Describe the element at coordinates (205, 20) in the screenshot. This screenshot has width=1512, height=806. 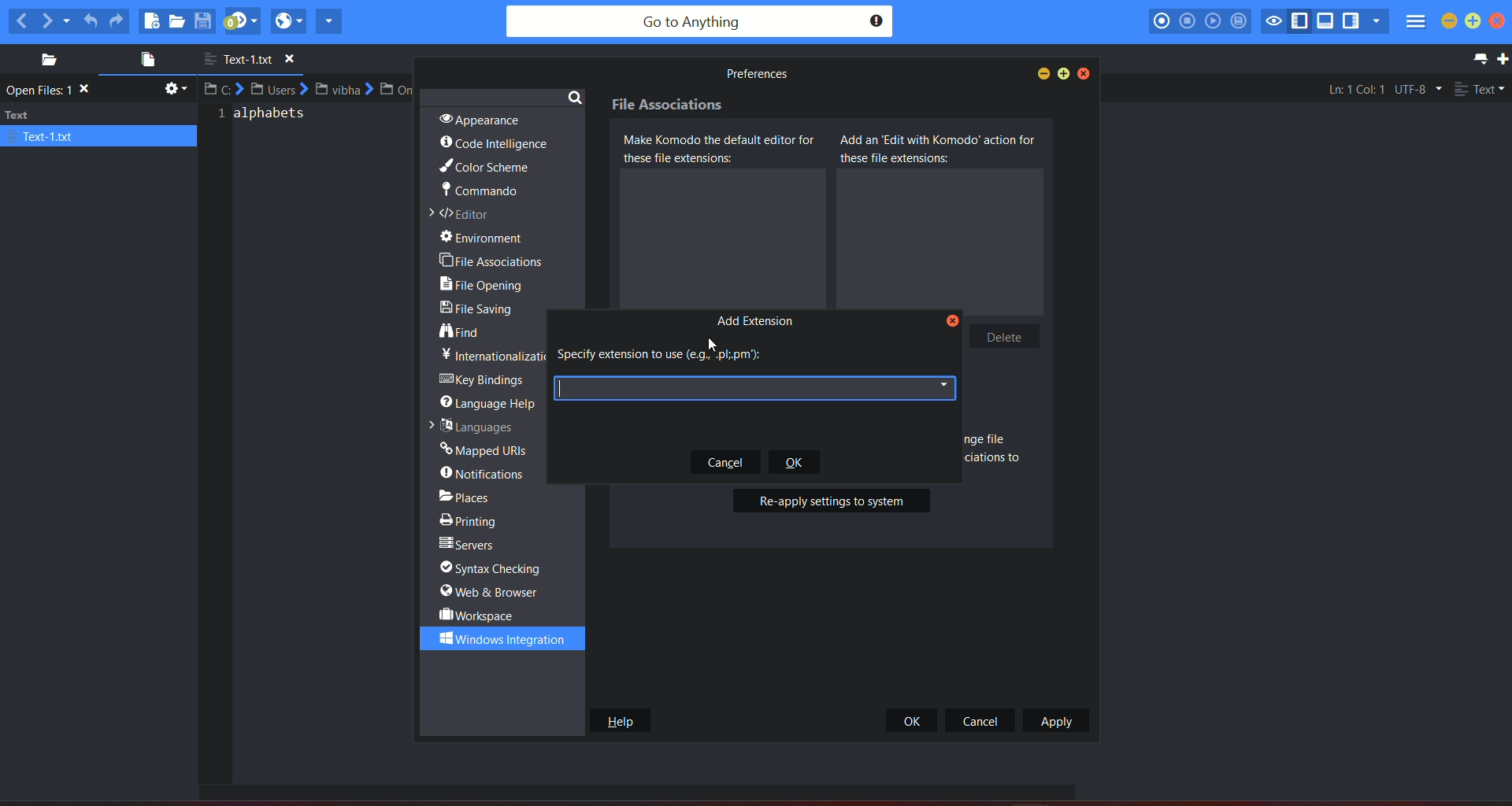
I see `save file` at that location.